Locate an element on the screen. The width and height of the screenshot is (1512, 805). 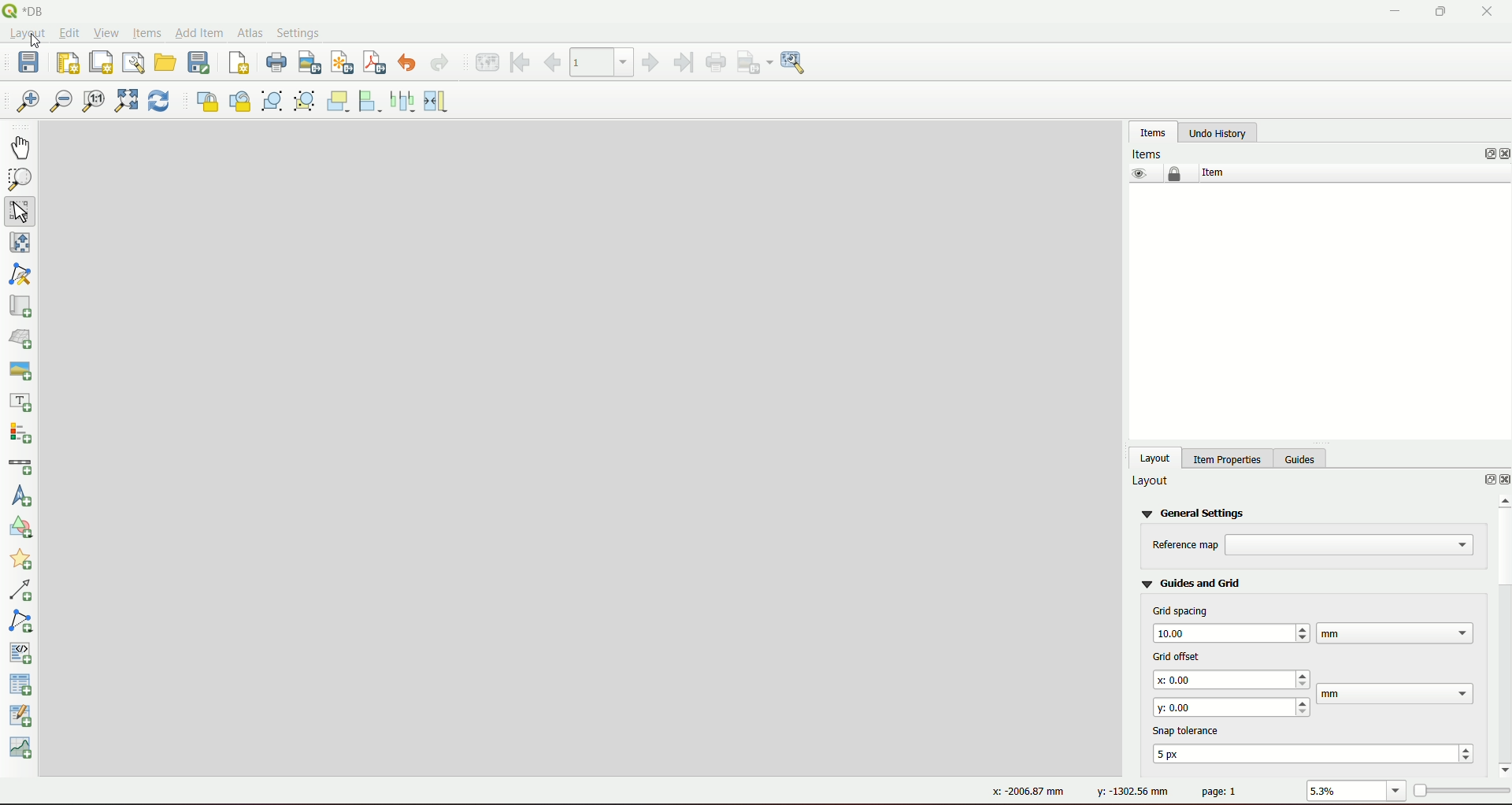
add 3D map is located at coordinates (23, 337).